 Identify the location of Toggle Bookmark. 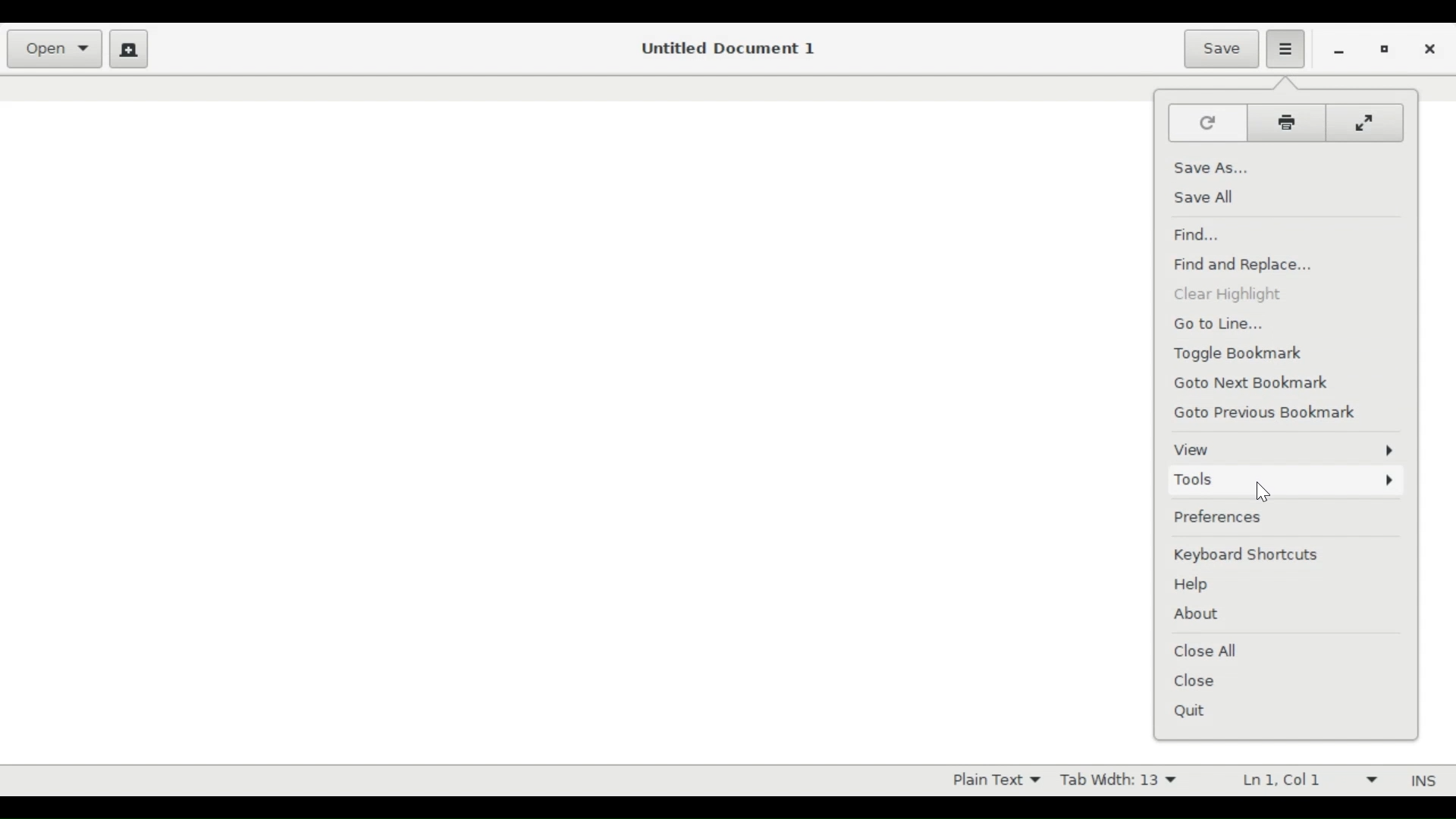
(1245, 354).